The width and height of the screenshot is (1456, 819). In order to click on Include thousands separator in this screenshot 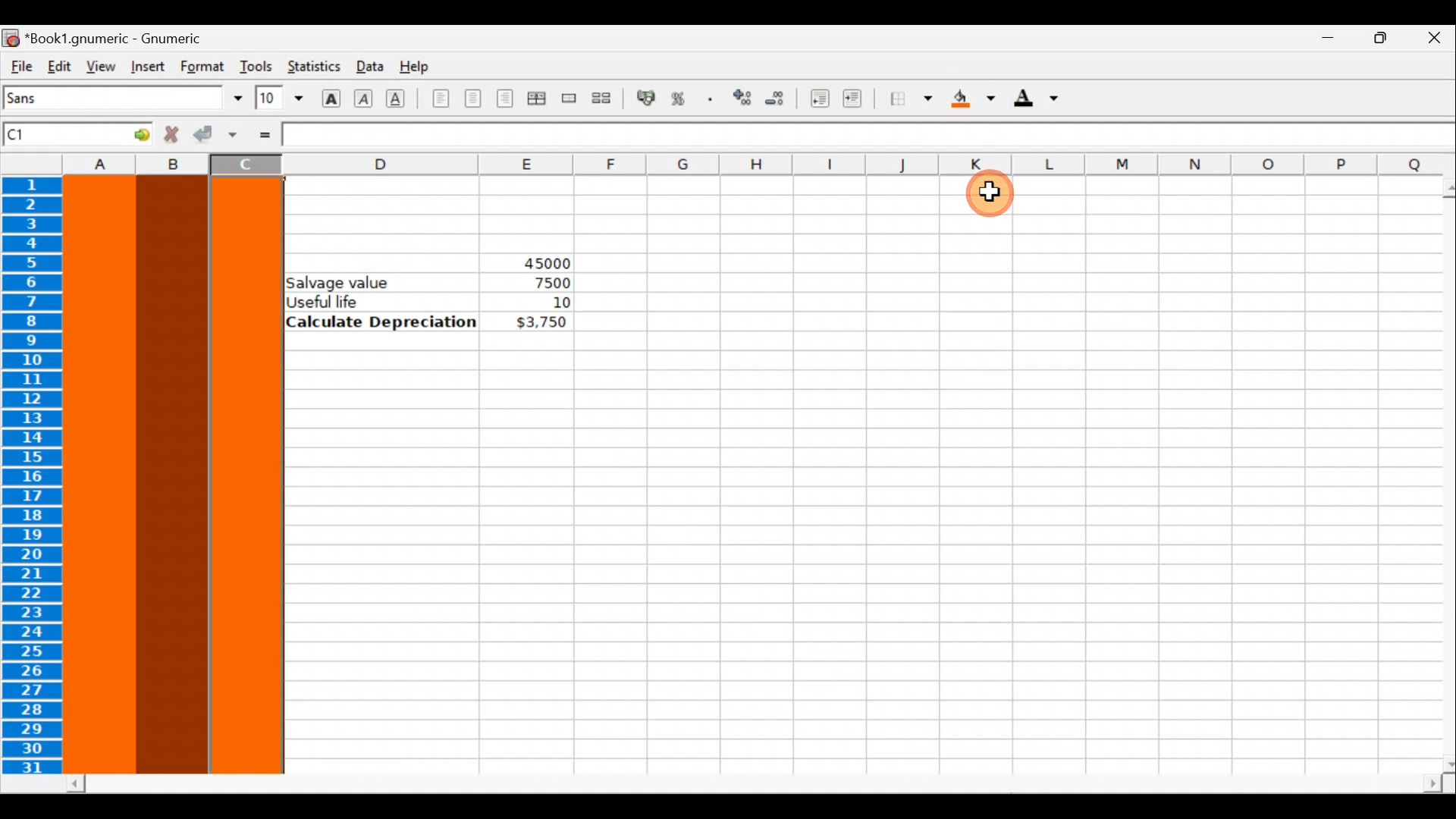, I will do `click(711, 99)`.